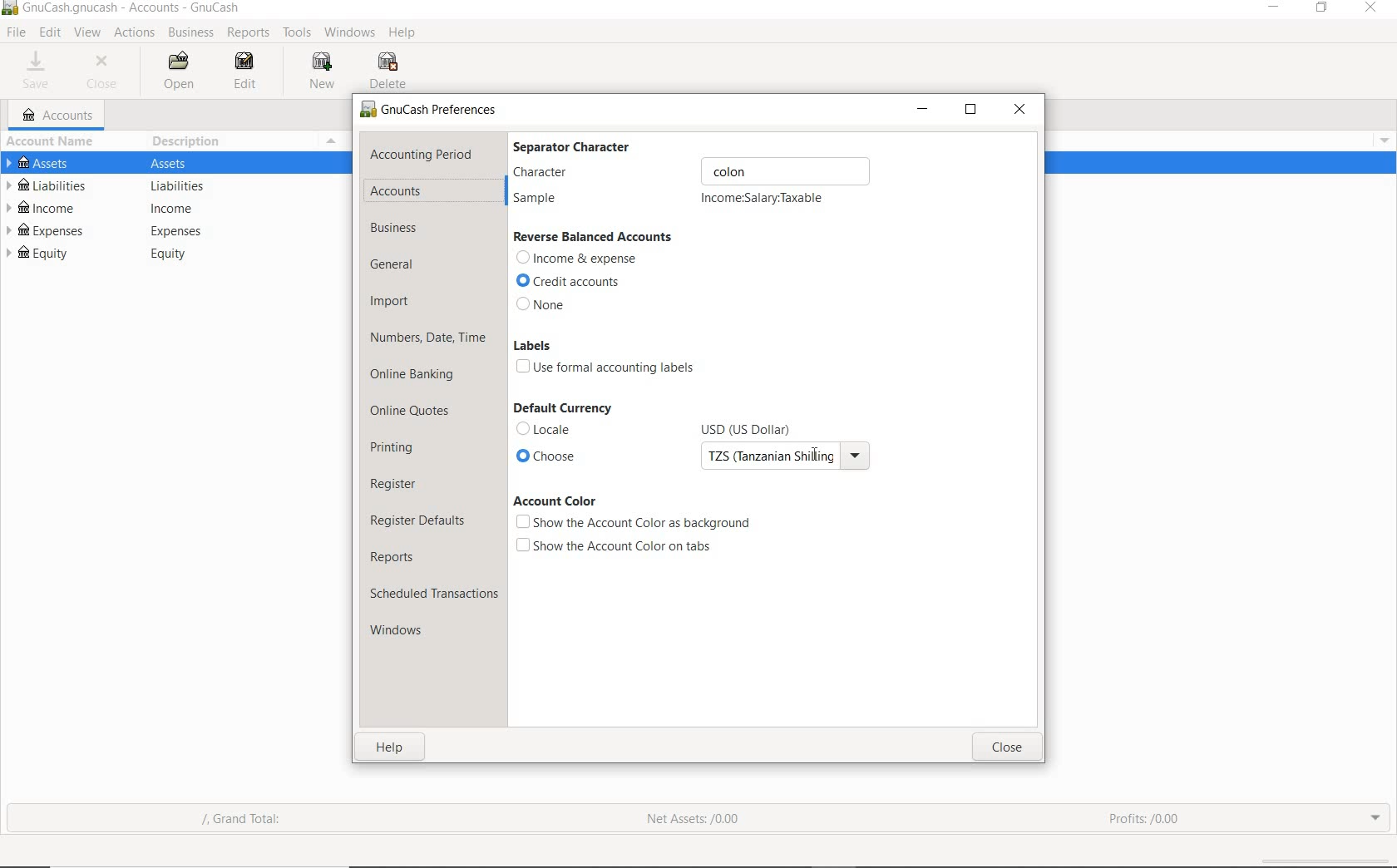 Image resolution: width=1397 pixels, height=868 pixels. Describe the element at coordinates (134, 33) in the screenshot. I see `ACTIONS` at that location.